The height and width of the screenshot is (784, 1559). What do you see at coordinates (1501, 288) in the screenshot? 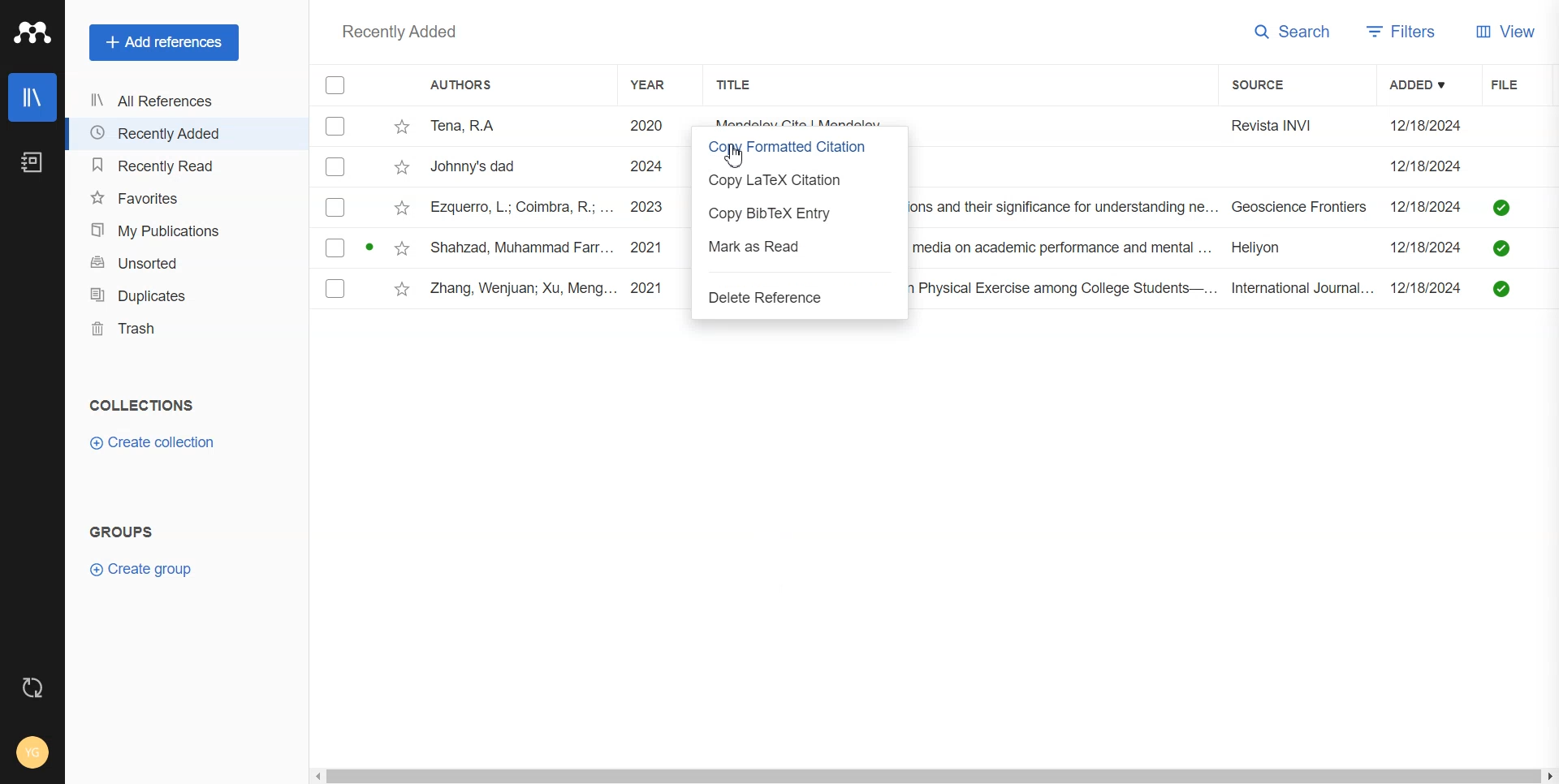
I see `saved` at bounding box center [1501, 288].